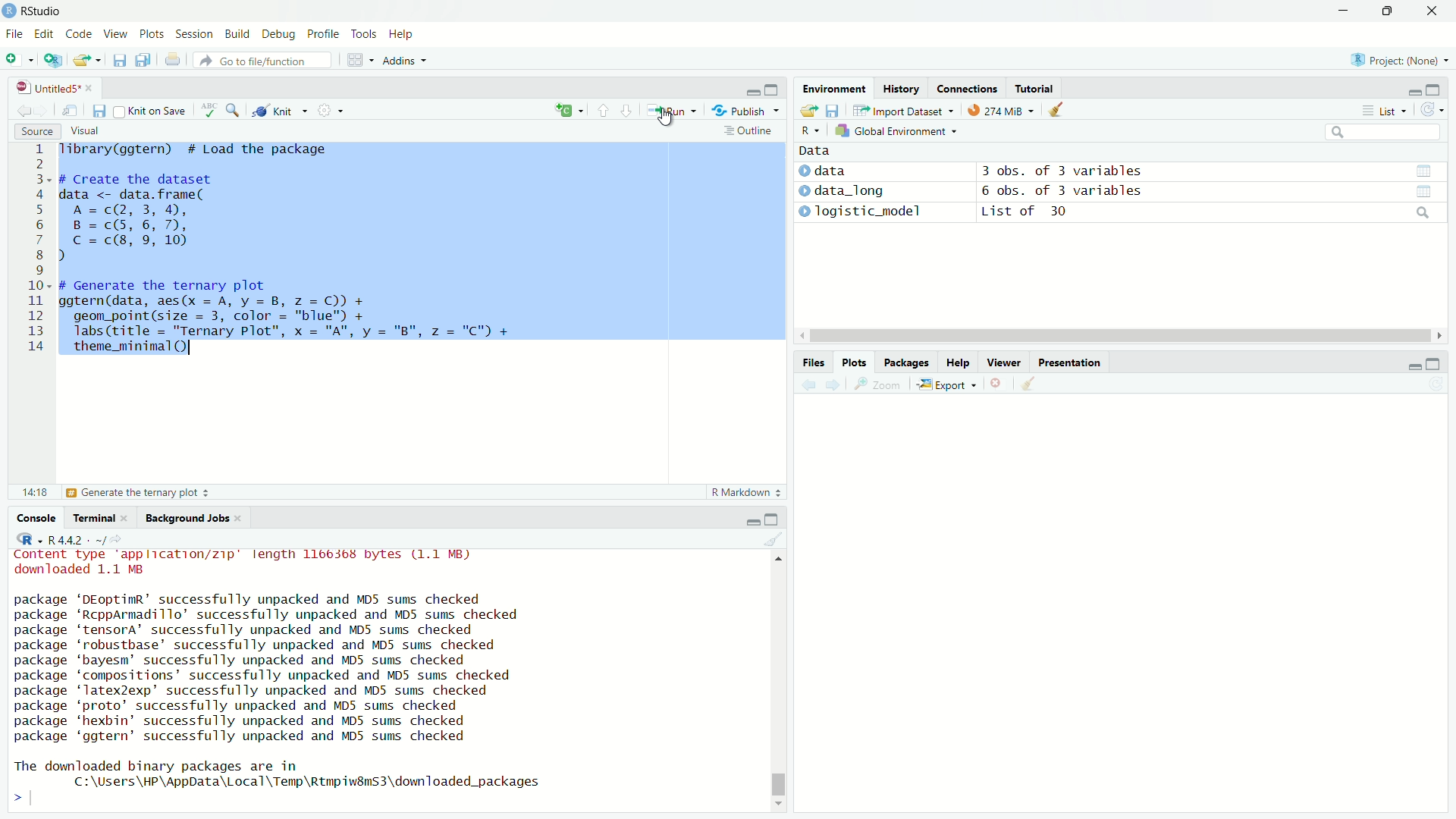 Image resolution: width=1456 pixels, height=819 pixels. I want to click on copy, so click(141, 61).